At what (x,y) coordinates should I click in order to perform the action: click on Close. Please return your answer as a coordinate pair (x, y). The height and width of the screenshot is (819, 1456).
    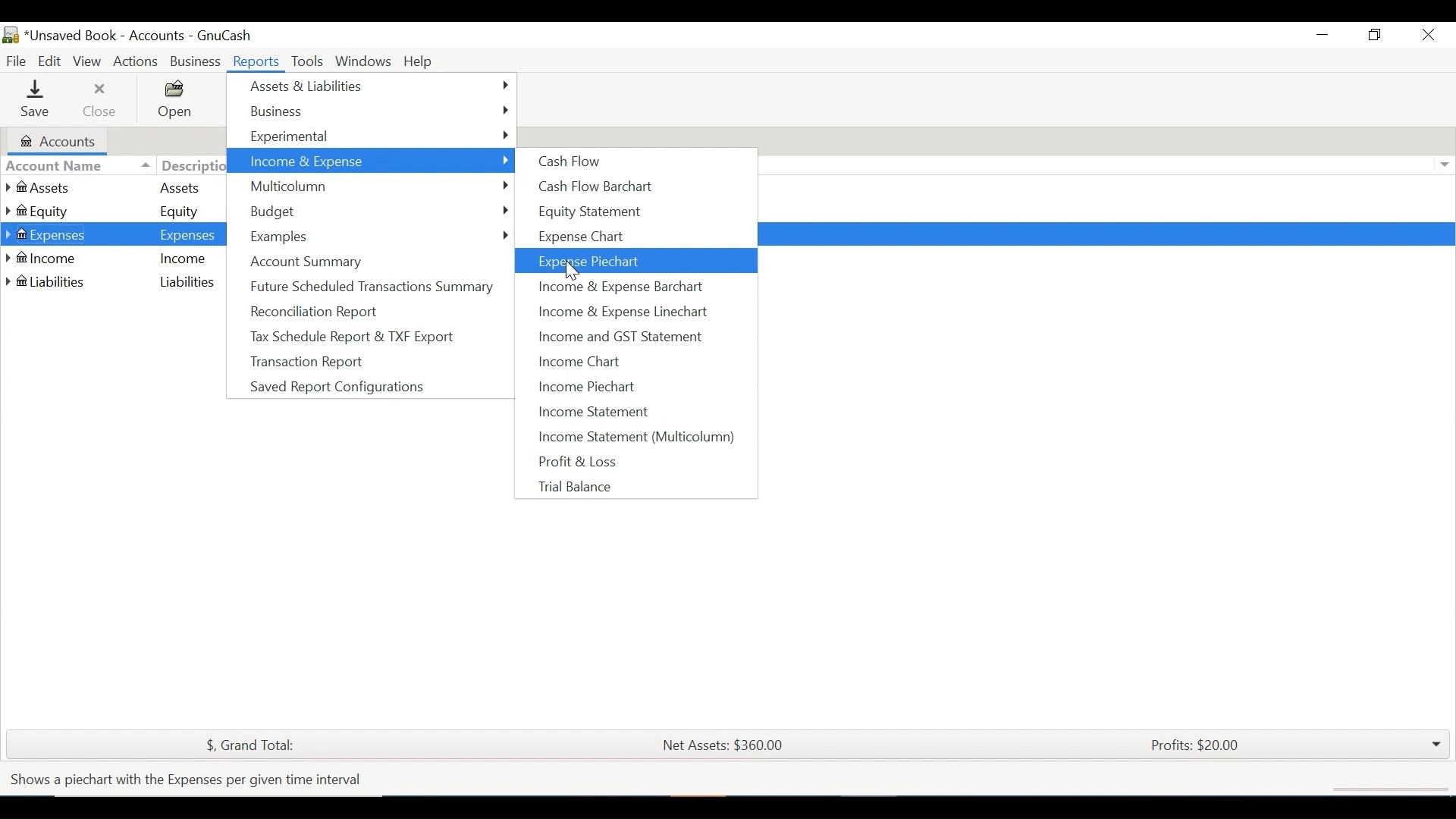
    Looking at the image, I should click on (1429, 36).